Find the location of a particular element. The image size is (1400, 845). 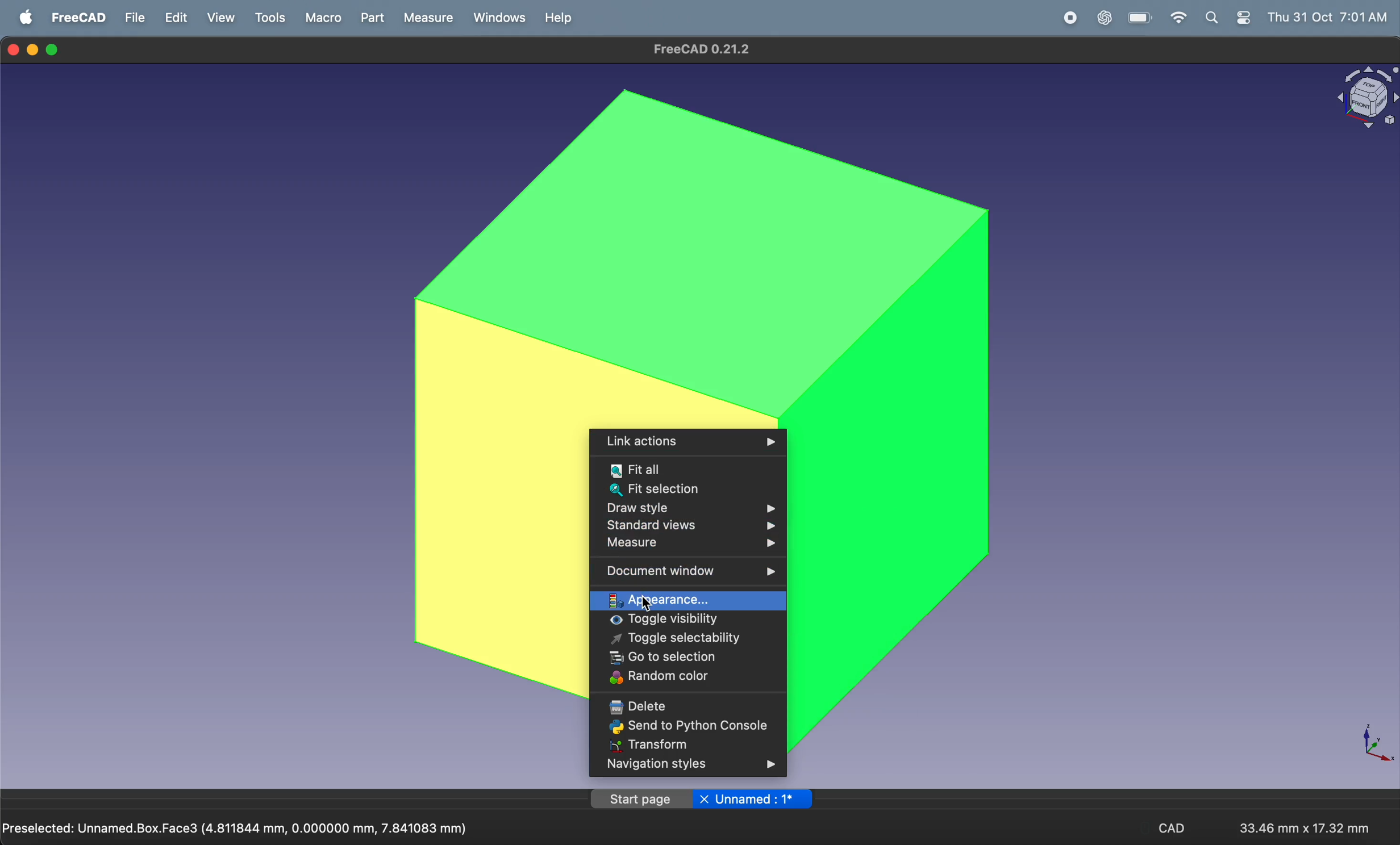

fit selection is located at coordinates (686, 491).